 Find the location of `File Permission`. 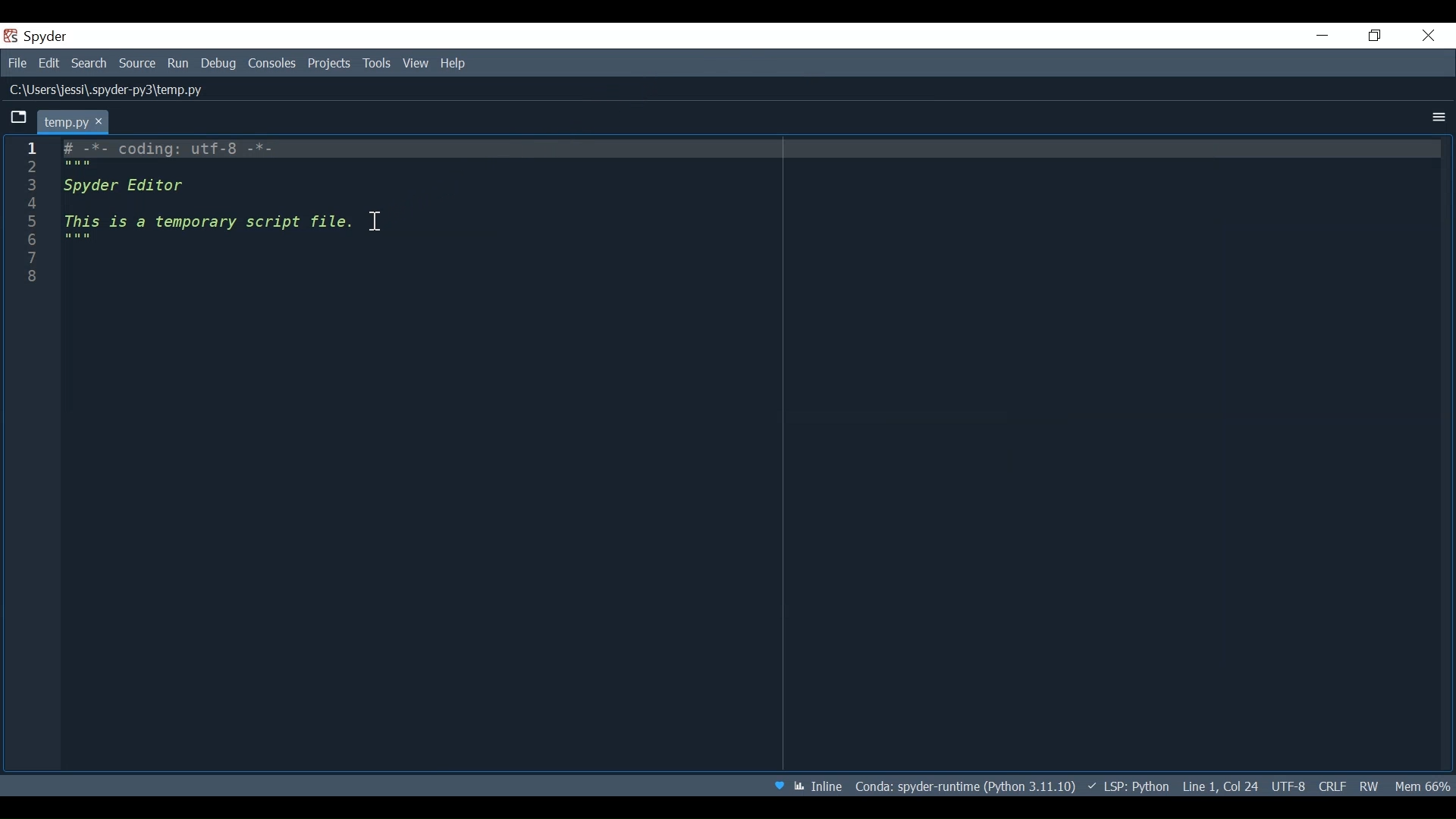

File Permission is located at coordinates (1367, 786).